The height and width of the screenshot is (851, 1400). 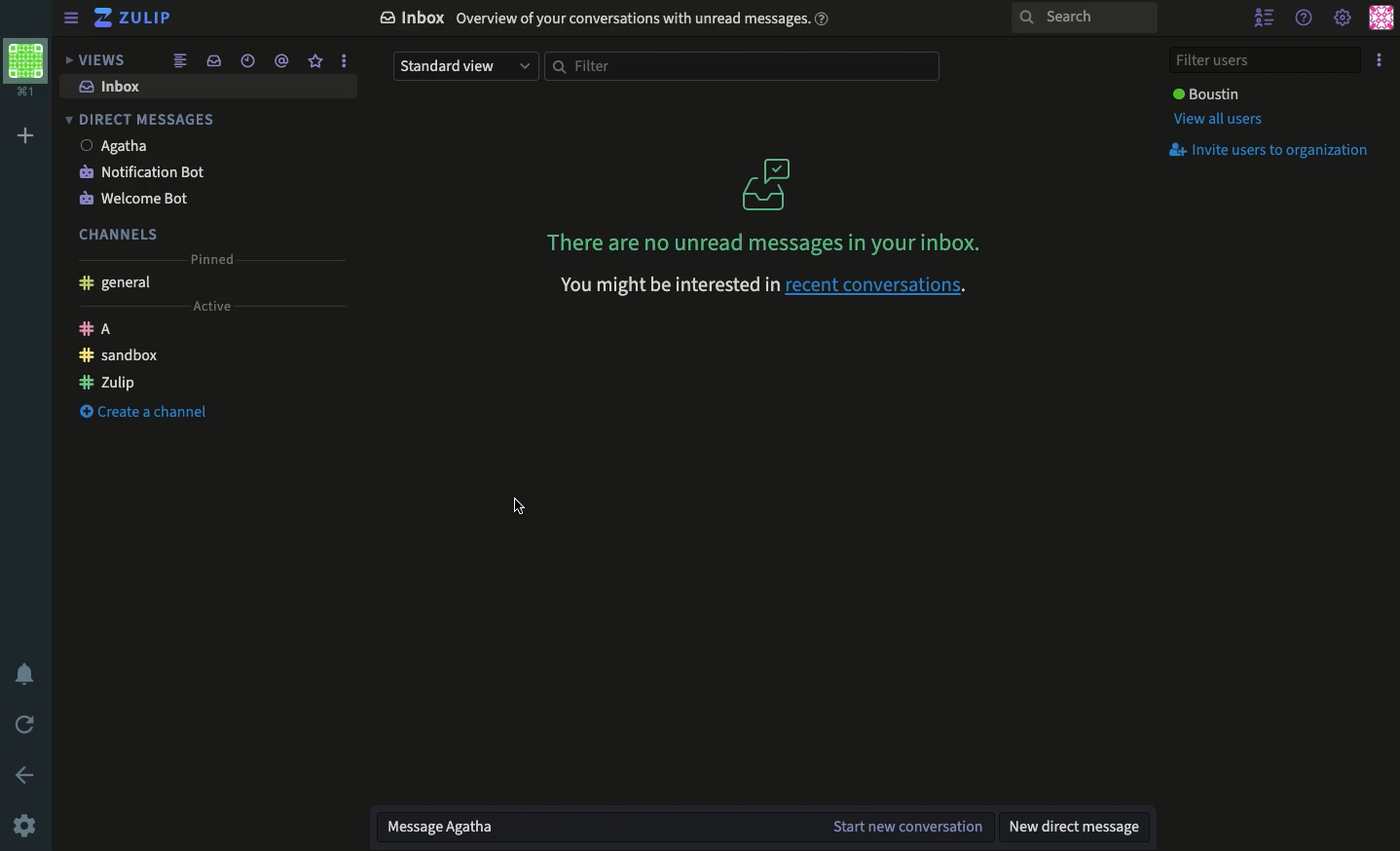 I want to click on Zulip, so click(x=133, y=18).